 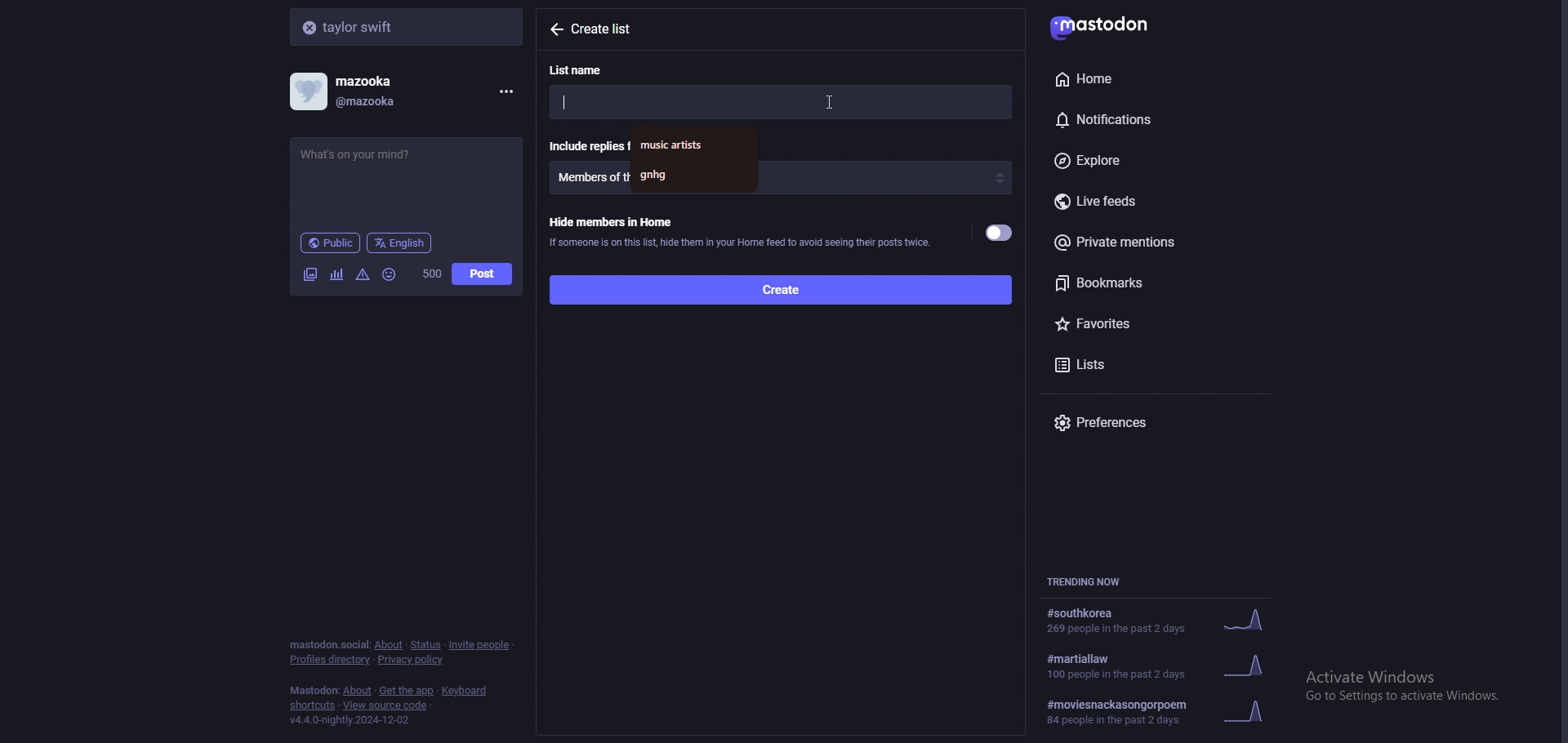 What do you see at coordinates (779, 288) in the screenshot?
I see `create` at bounding box center [779, 288].